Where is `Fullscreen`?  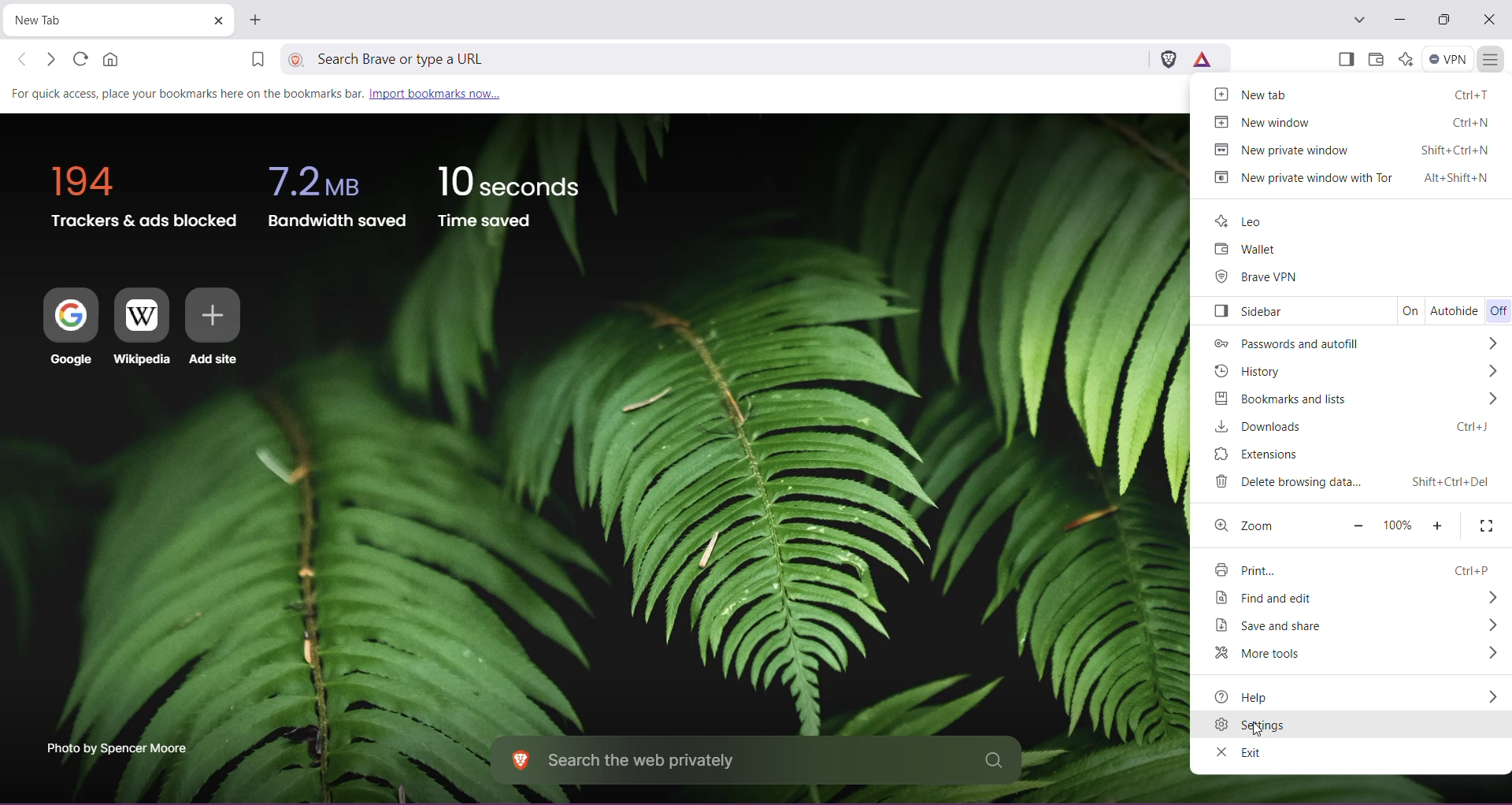 Fullscreen is located at coordinates (1485, 525).